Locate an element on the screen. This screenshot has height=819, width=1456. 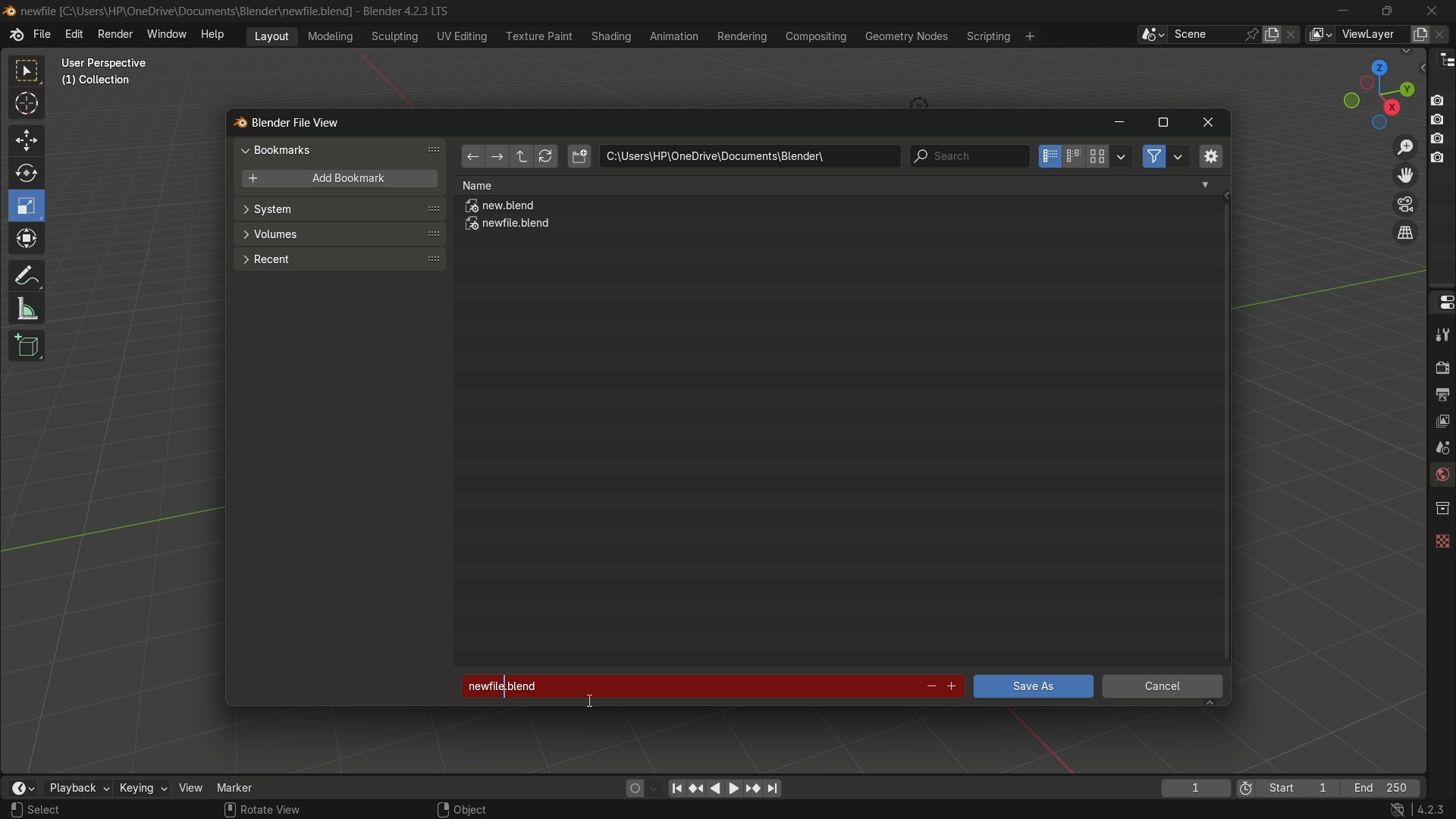
minimize is located at coordinates (1119, 124).